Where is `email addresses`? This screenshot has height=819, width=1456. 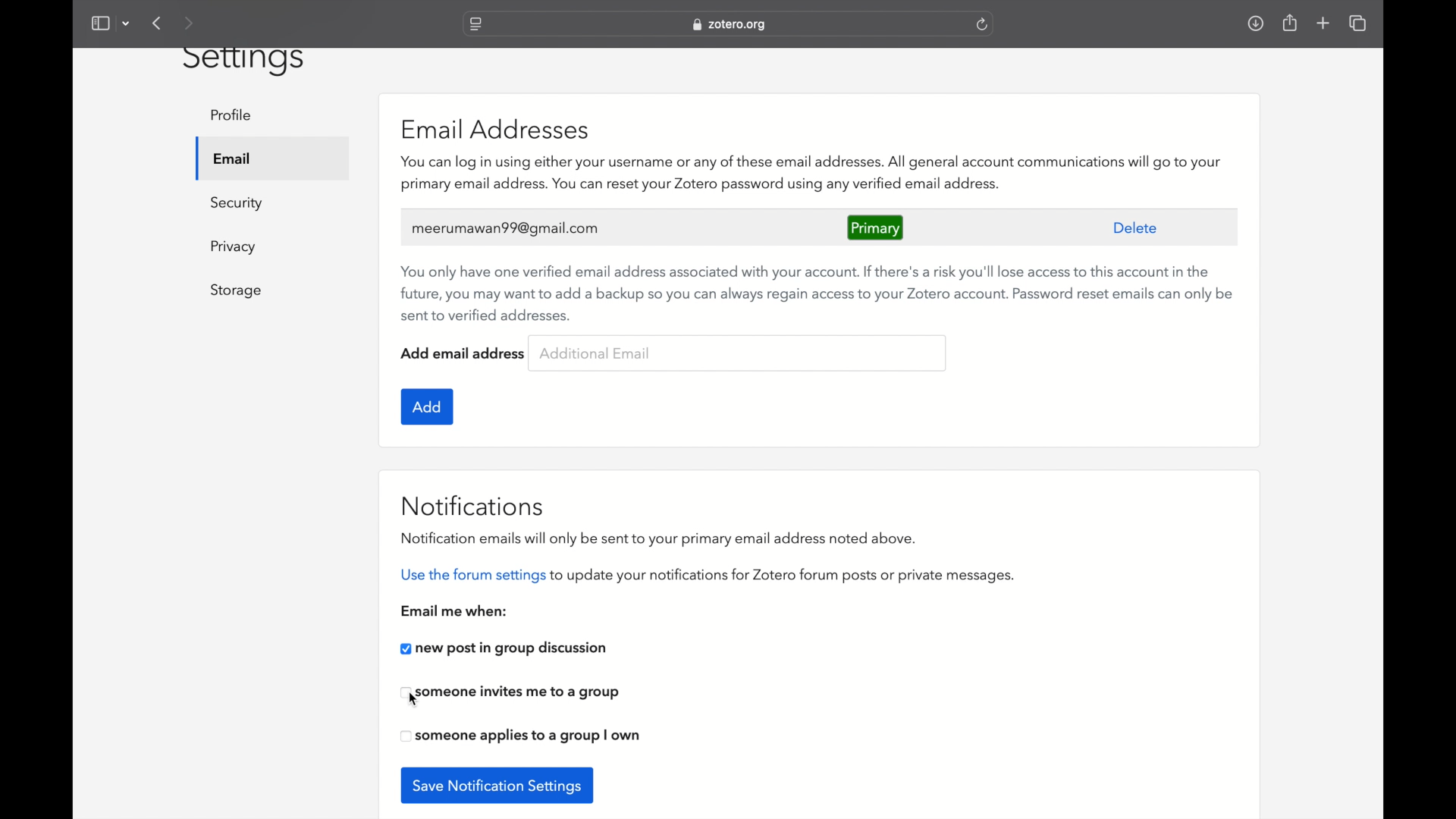
email addresses is located at coordinates (494, 128).